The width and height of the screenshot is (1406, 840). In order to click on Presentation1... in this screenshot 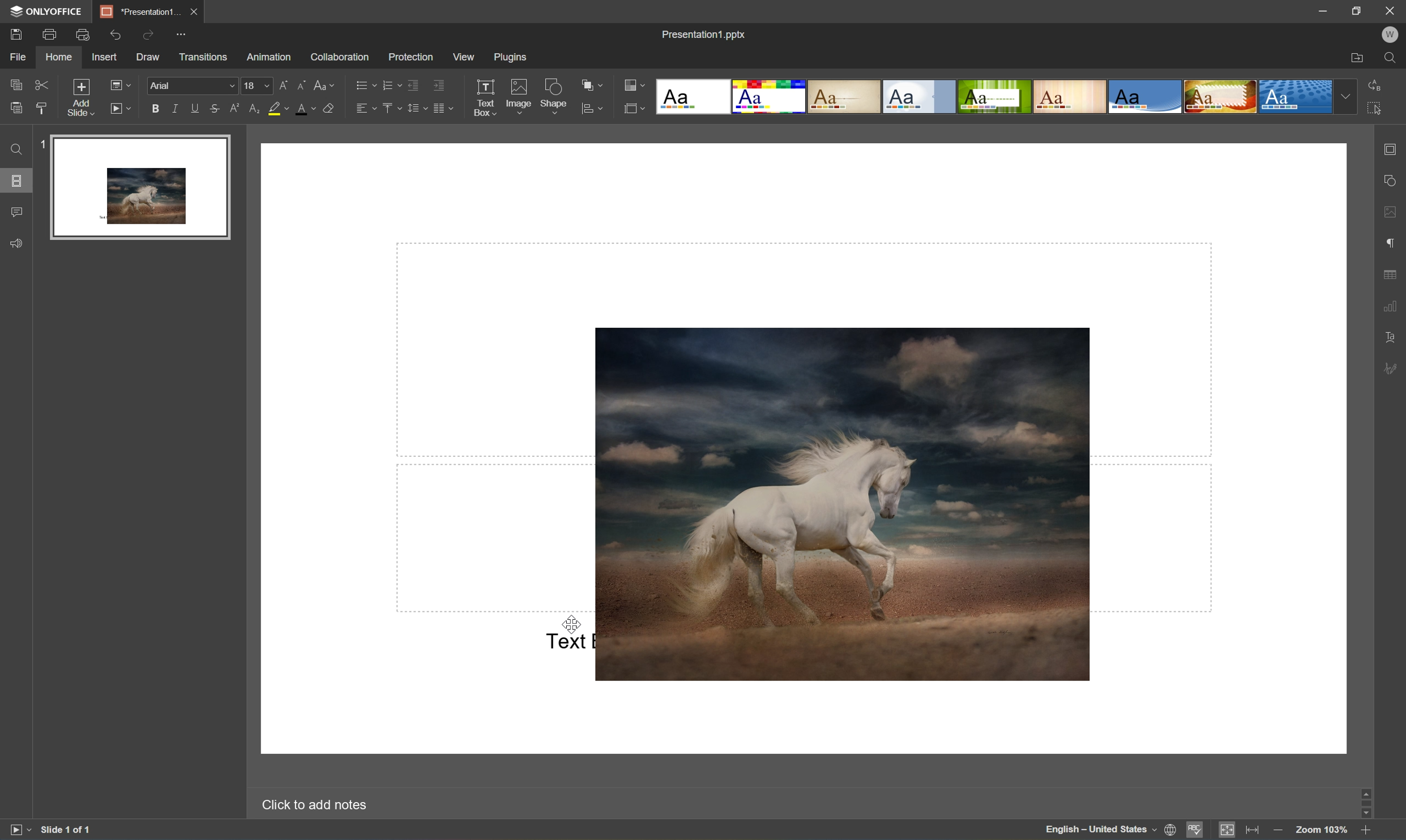, I will do `click(138, 11)`.